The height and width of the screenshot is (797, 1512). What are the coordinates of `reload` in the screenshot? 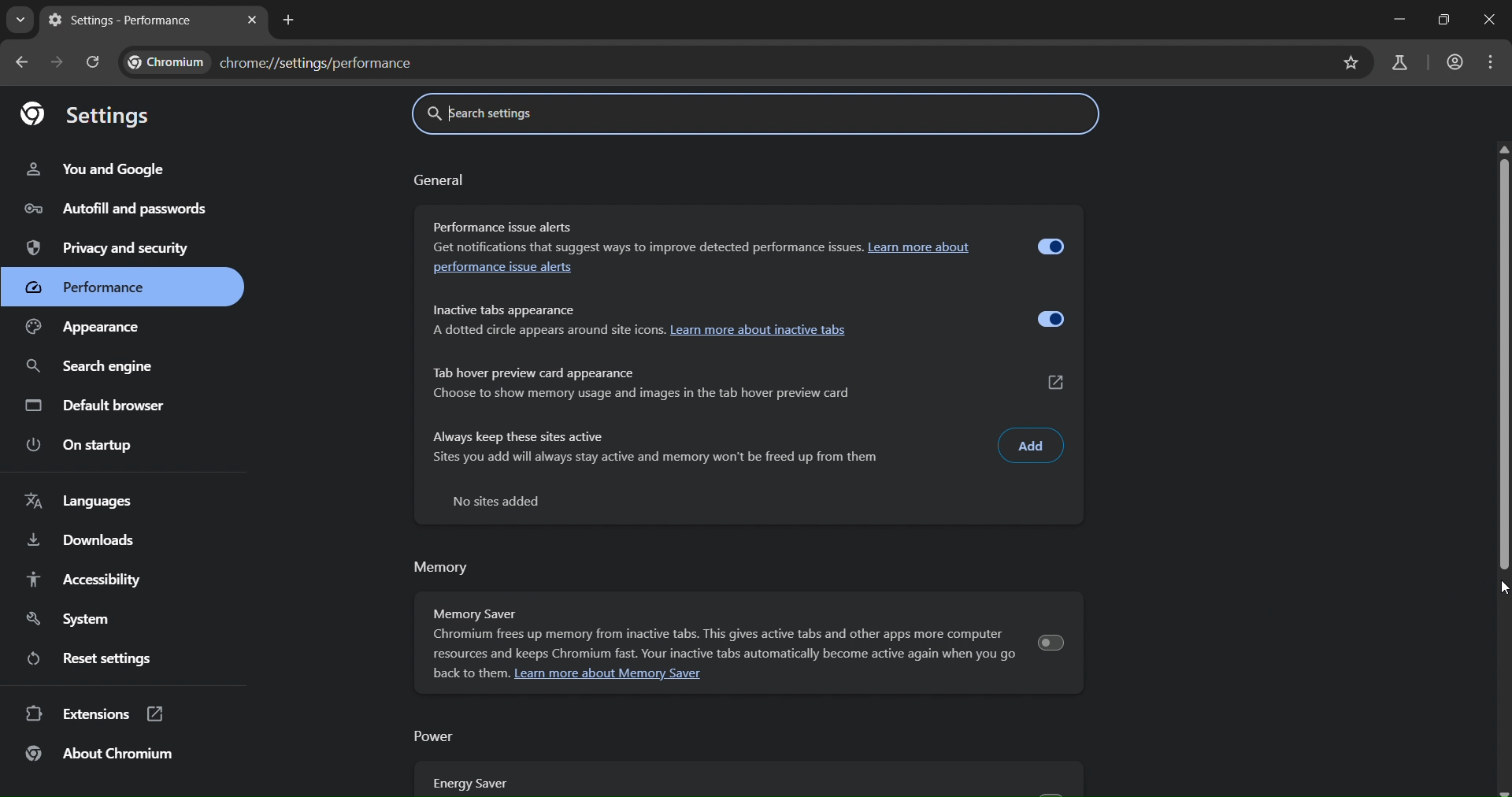 It's located at (98, 61).